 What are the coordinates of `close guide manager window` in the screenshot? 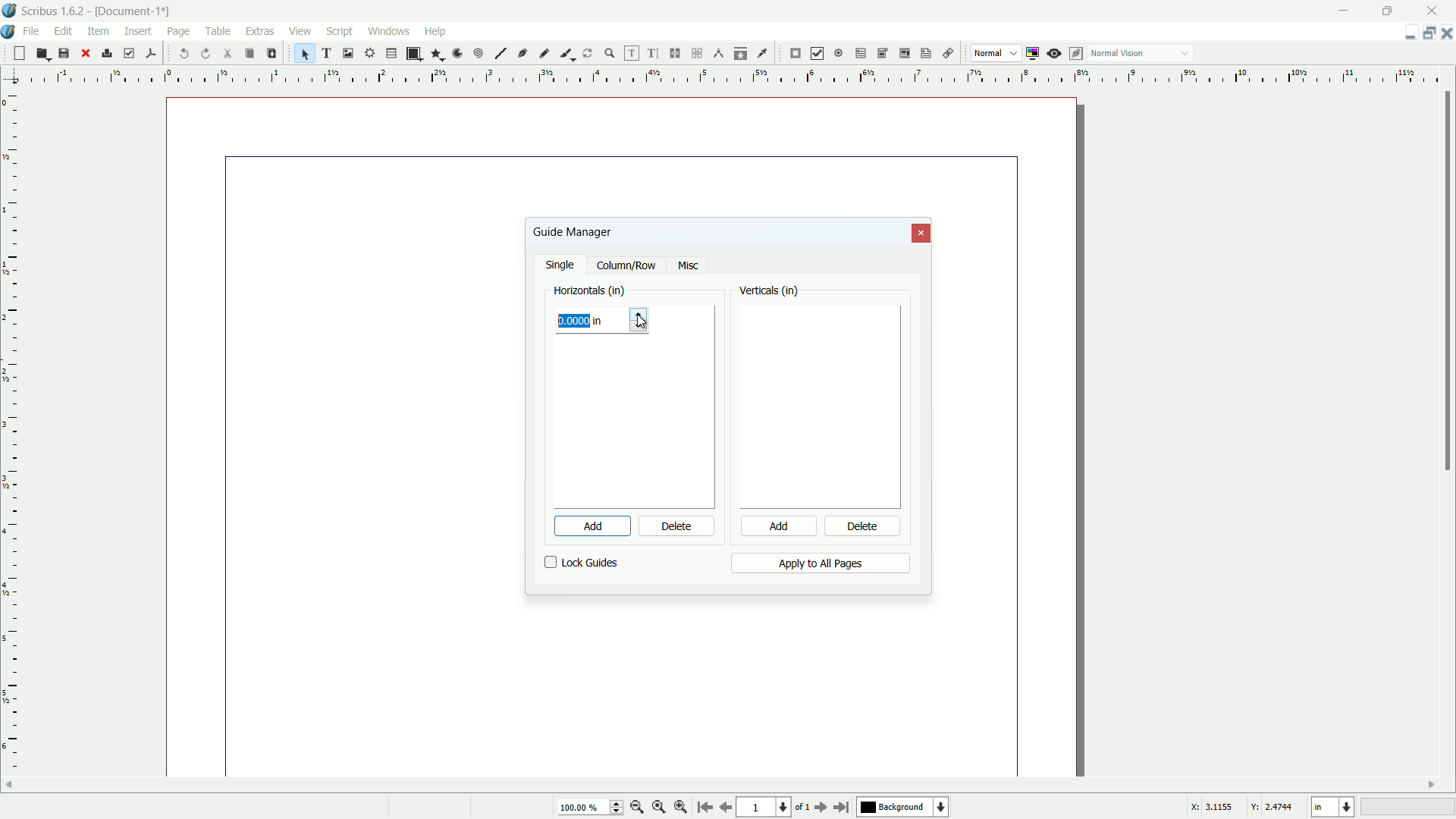 It's located at (922, 234).